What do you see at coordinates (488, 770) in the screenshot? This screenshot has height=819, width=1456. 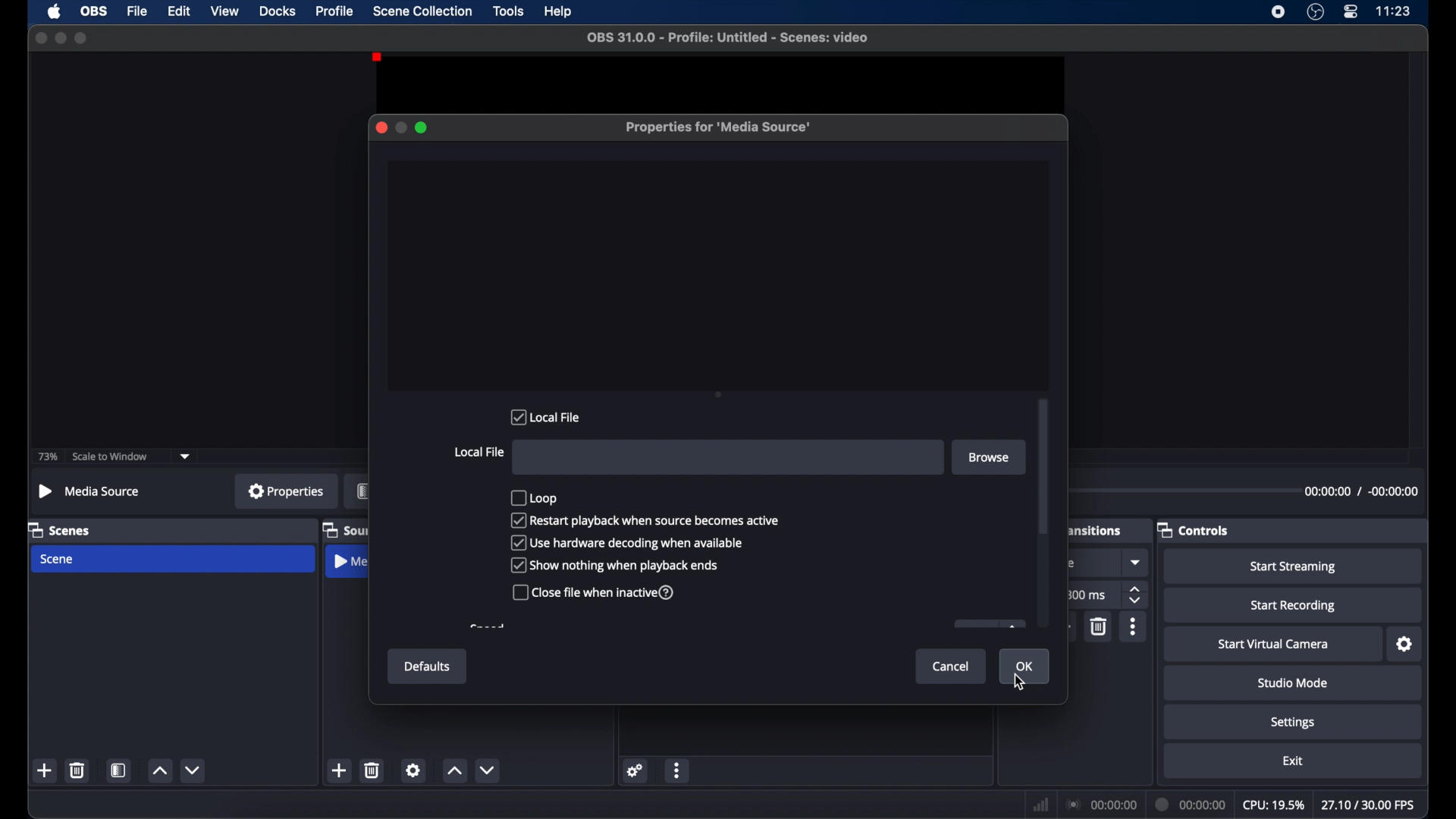 I see `decrement` at bounding box center [488, 770].